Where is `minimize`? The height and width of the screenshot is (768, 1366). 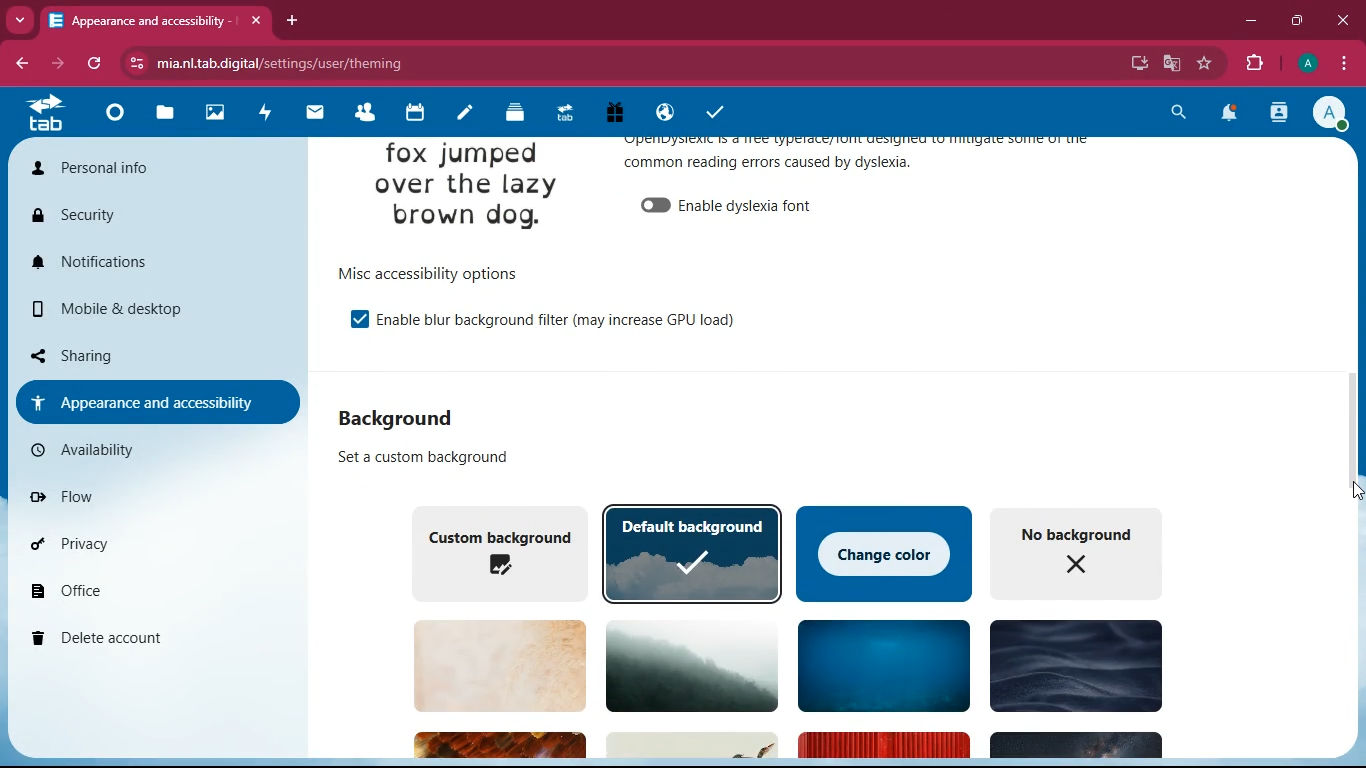
minimize is located at coordinates (1250, 23).